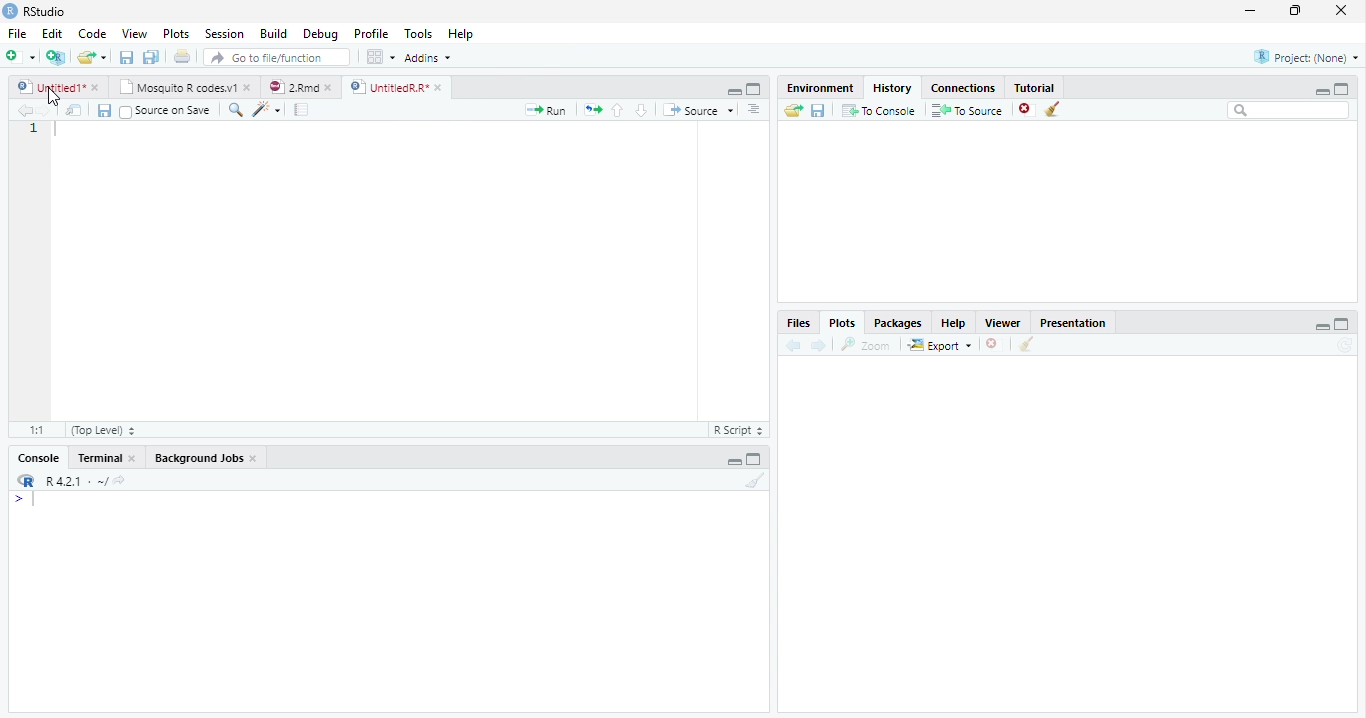  What do you see at coordinates (756, 460) in the screenshot?
I see `Maximize` at bounding box center [756, 460].